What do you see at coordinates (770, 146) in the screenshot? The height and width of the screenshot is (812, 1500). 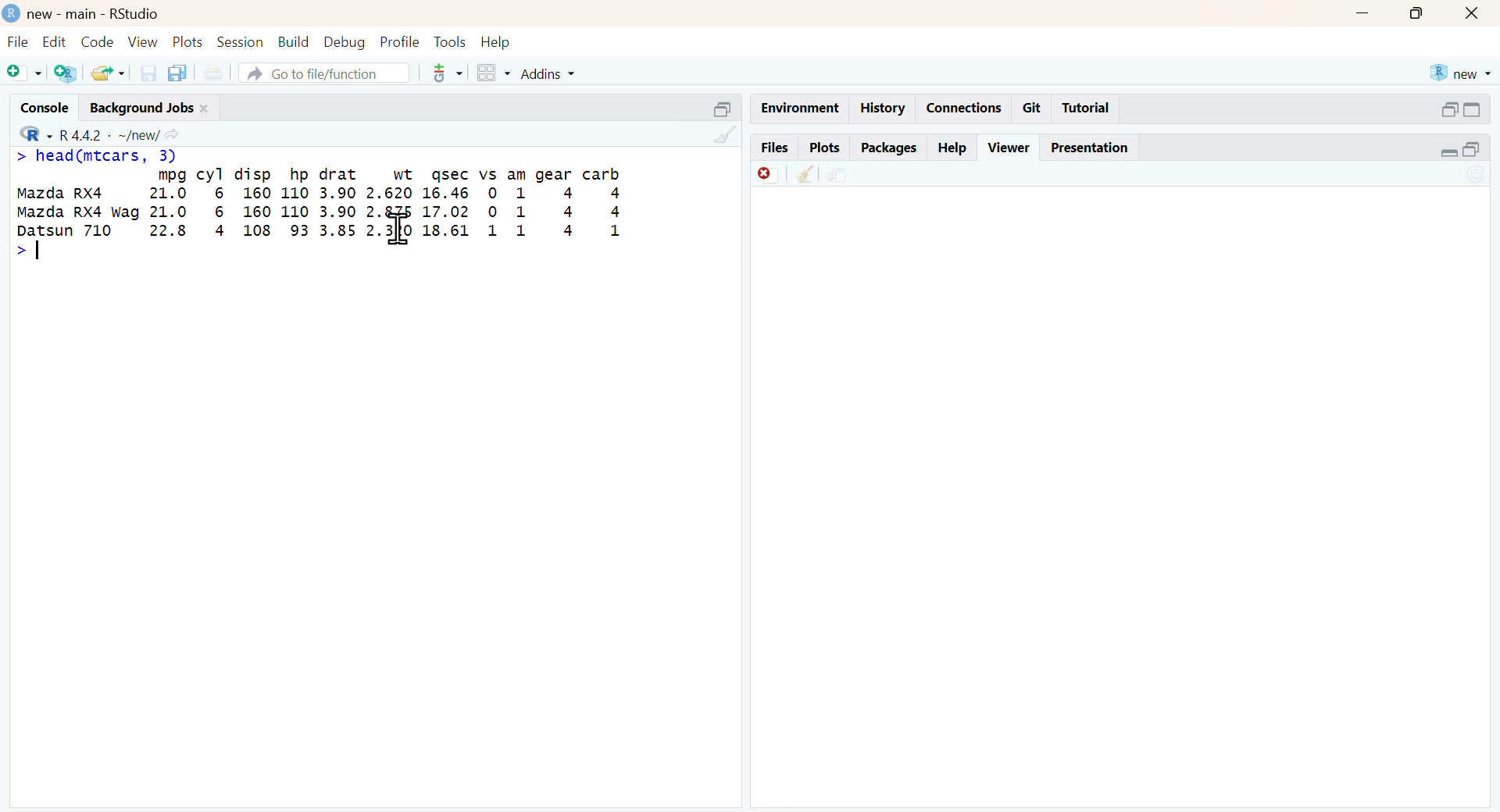 I see `Files` at bounding box center [770, 146].